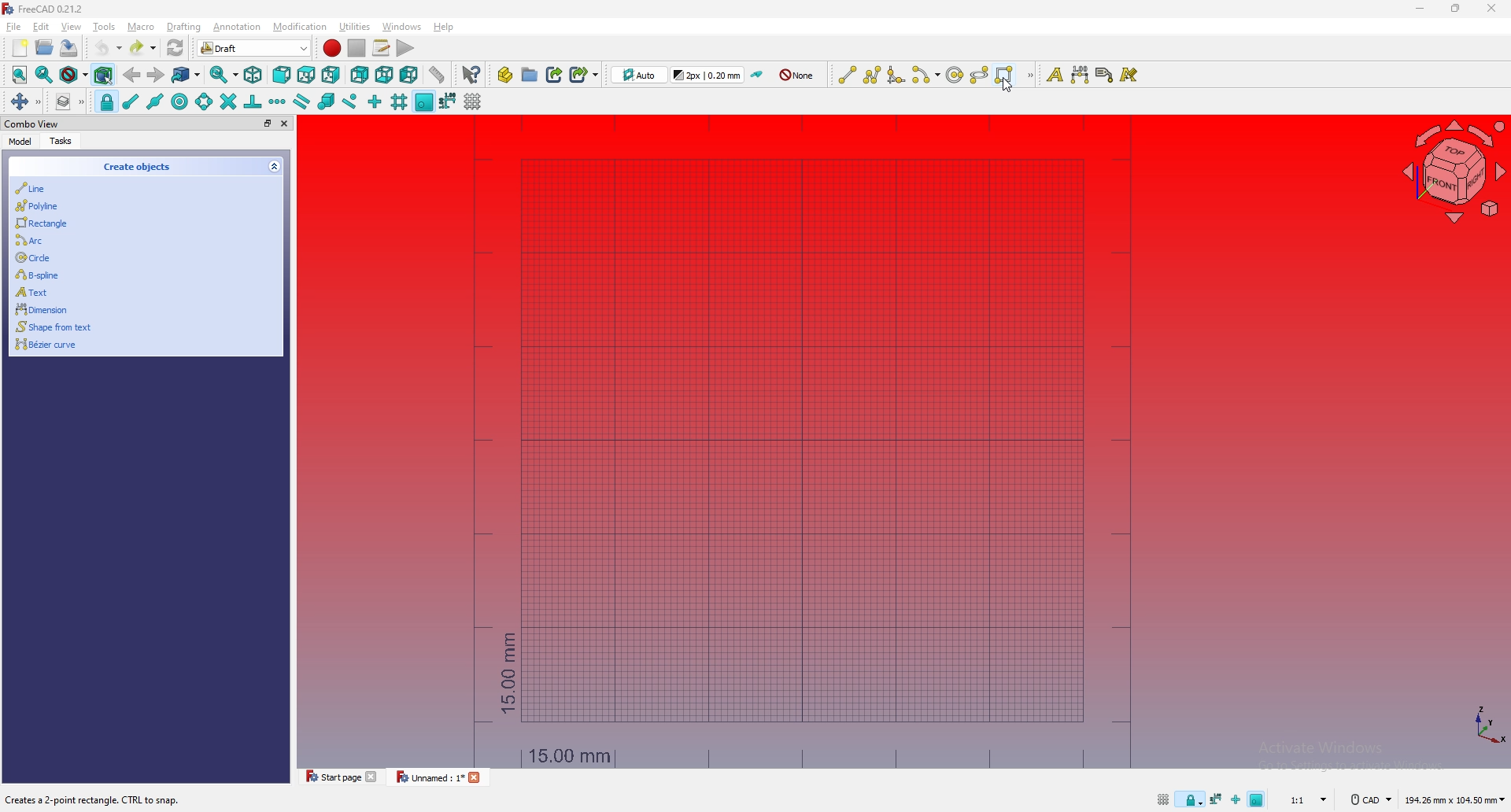  What do you see at coordinates (24, 102) in the screenshot?
I see `move` at bounding box center [24, 102].